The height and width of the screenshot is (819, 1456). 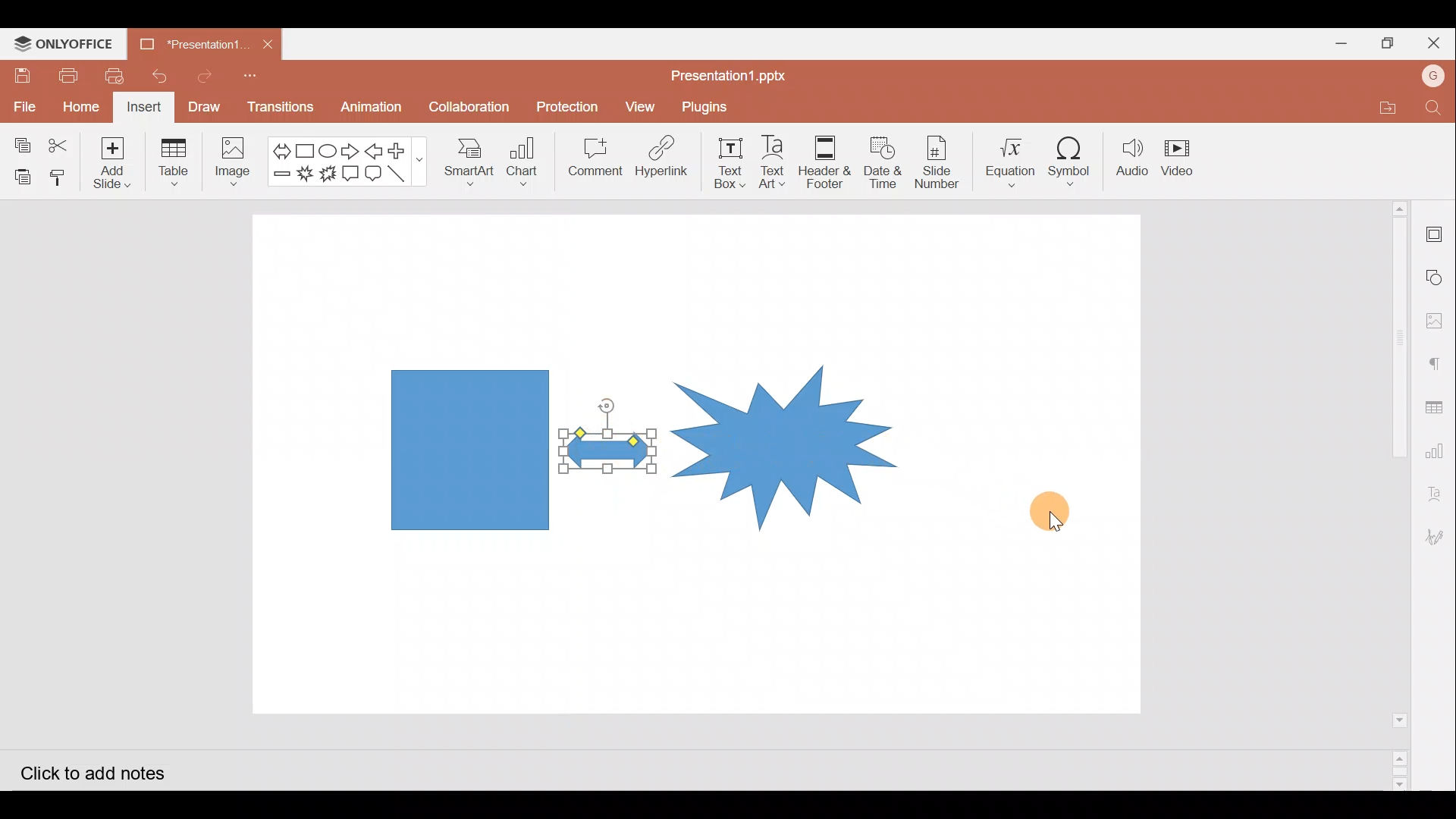 What do you see at coordinates (67, 142) in the screenshot?
I see `Cut` at bounding box center [67, 142].